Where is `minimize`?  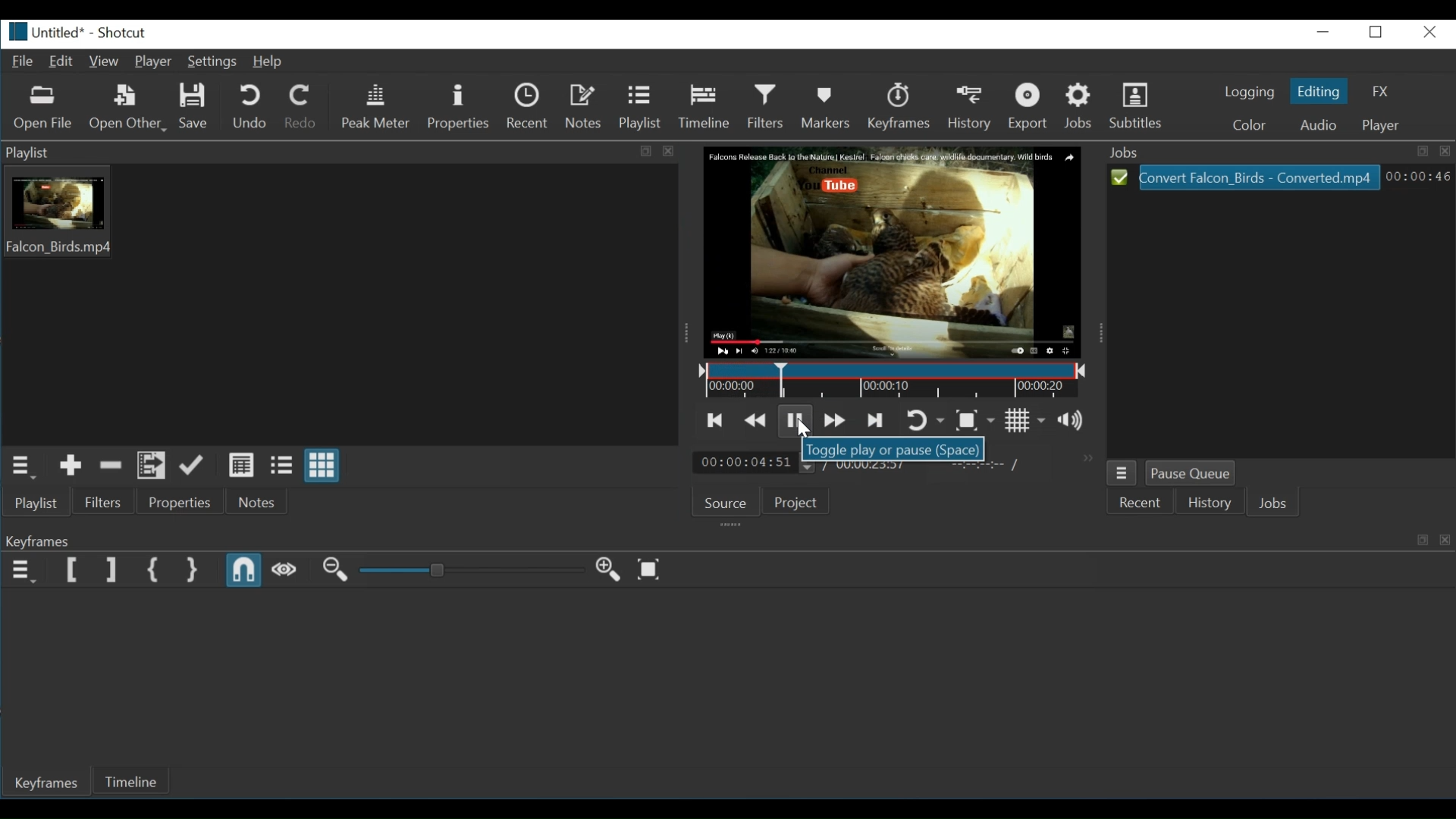
minimize is located at coordinates (1323, 32).